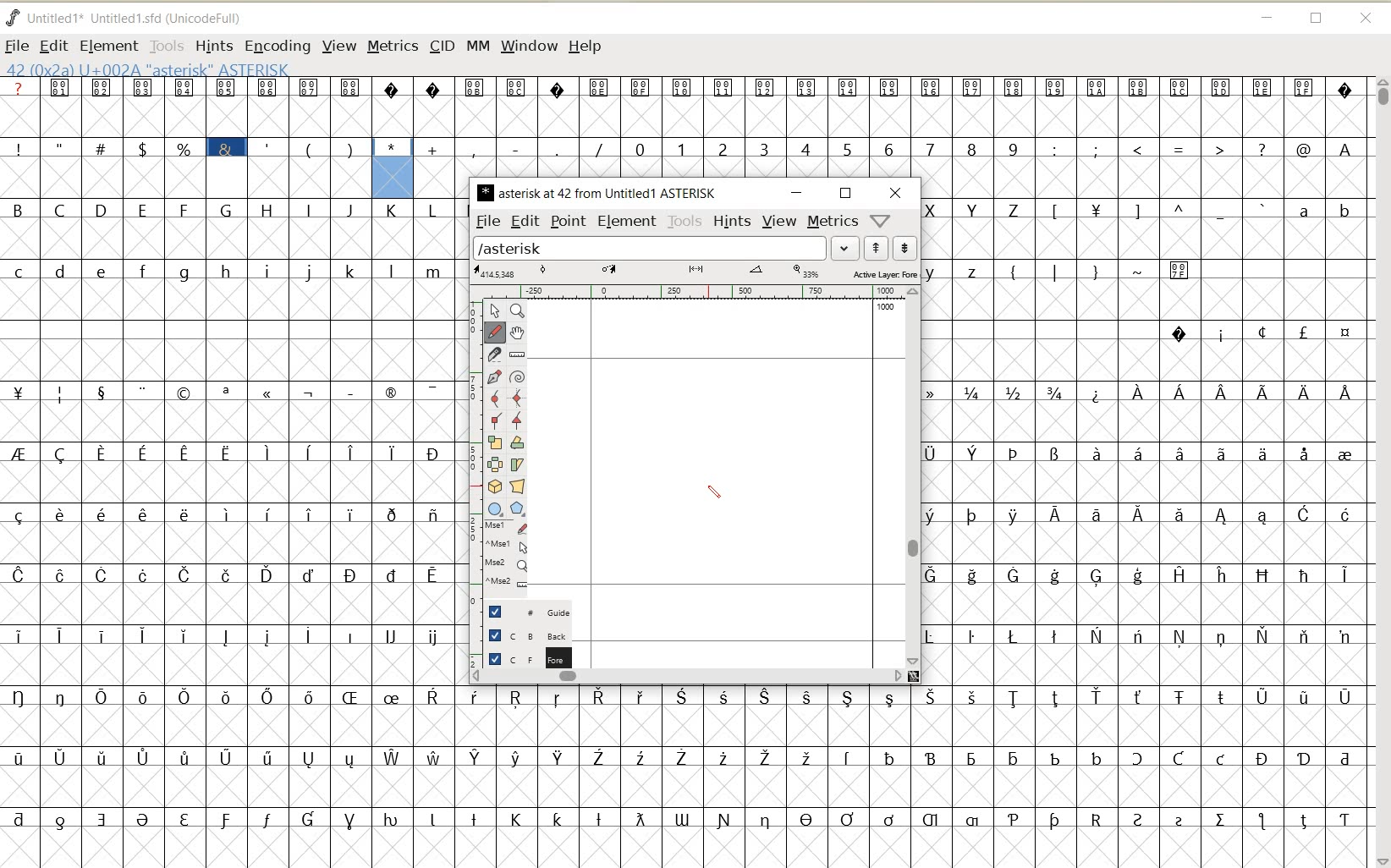  I want to click on BACKGROUND, so click(520, 634).